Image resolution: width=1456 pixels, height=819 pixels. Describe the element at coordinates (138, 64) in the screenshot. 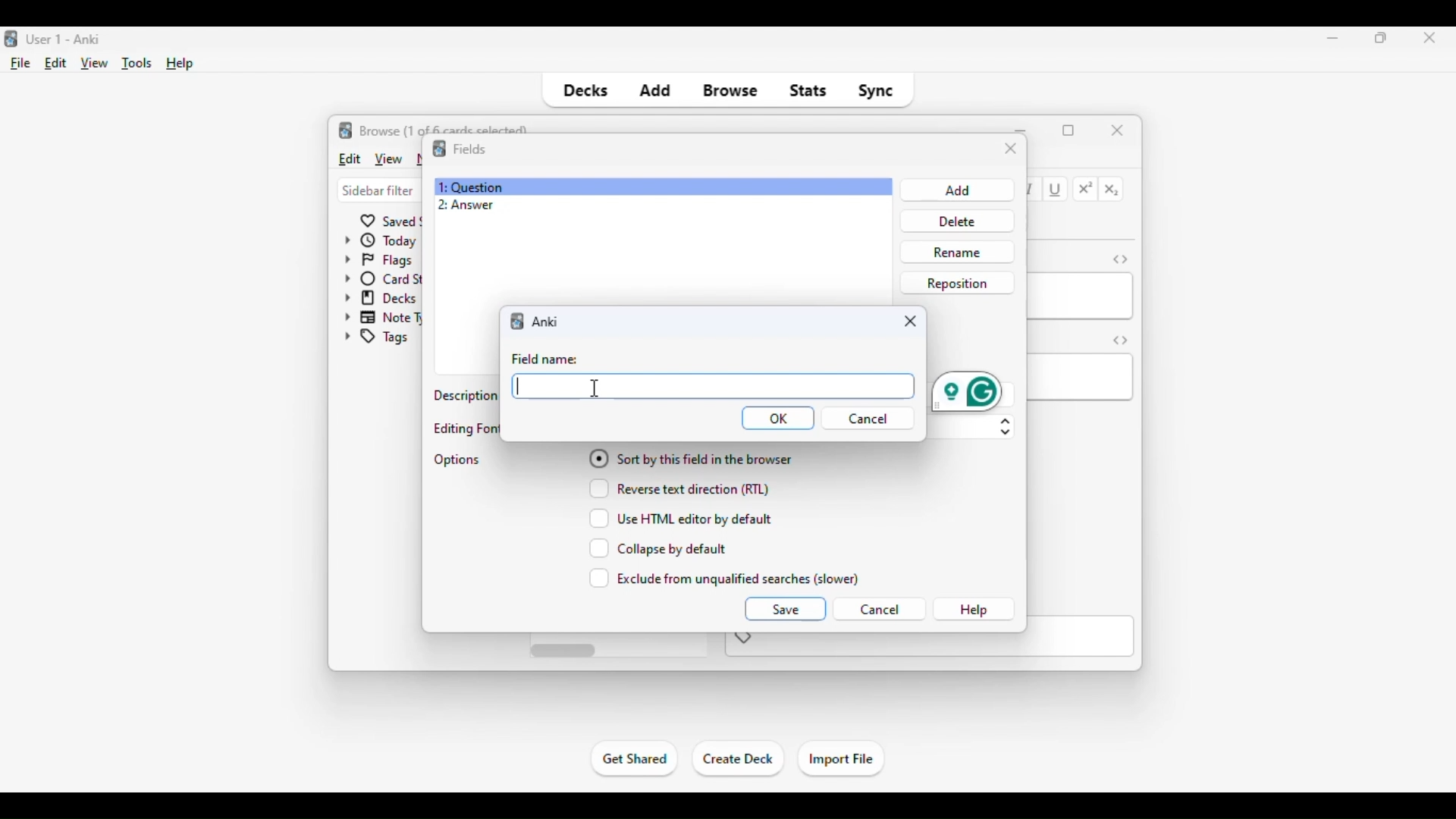

I see `tools` at that location.